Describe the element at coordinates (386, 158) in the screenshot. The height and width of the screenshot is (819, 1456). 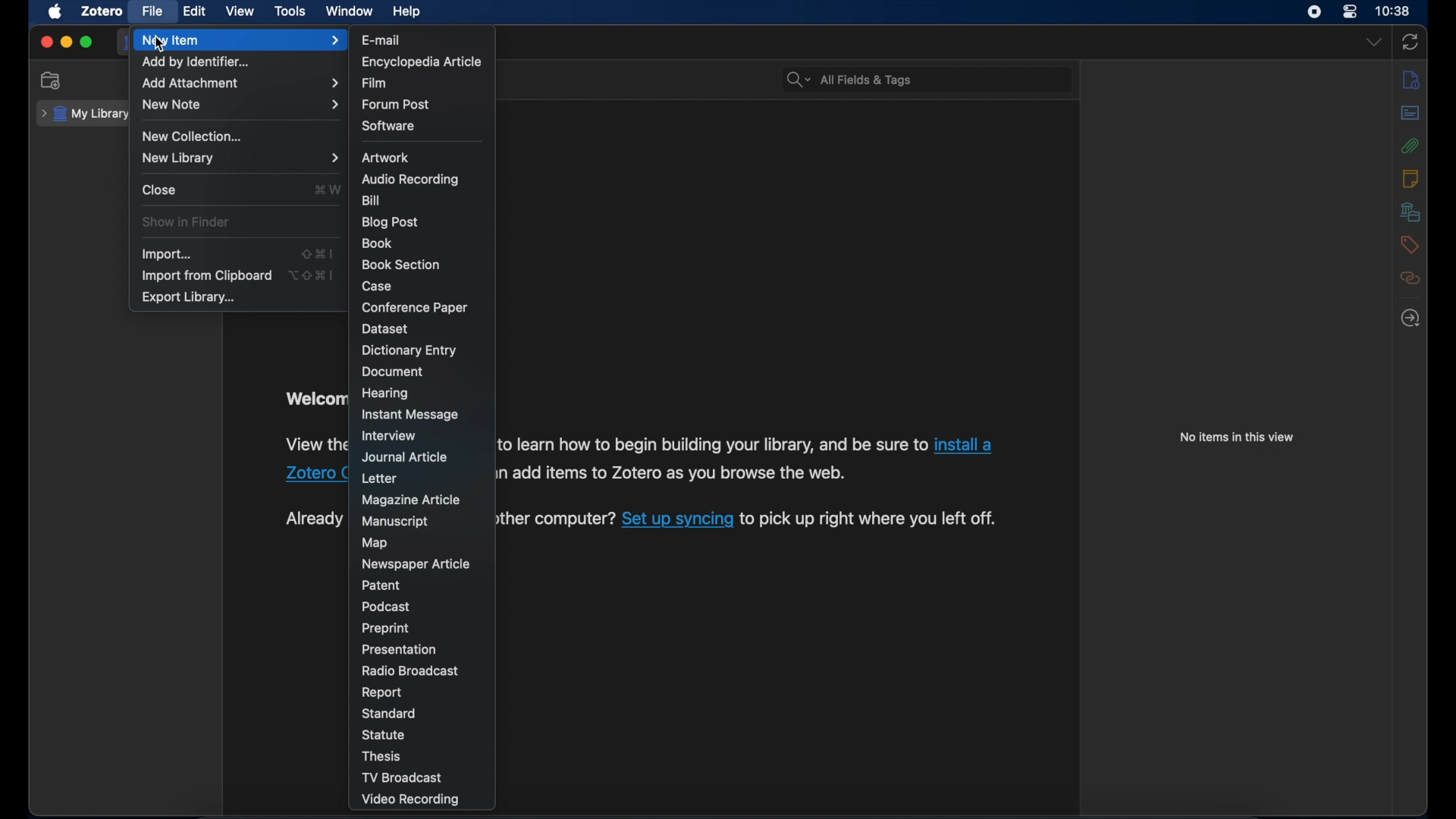
I see `artwork` at that location.